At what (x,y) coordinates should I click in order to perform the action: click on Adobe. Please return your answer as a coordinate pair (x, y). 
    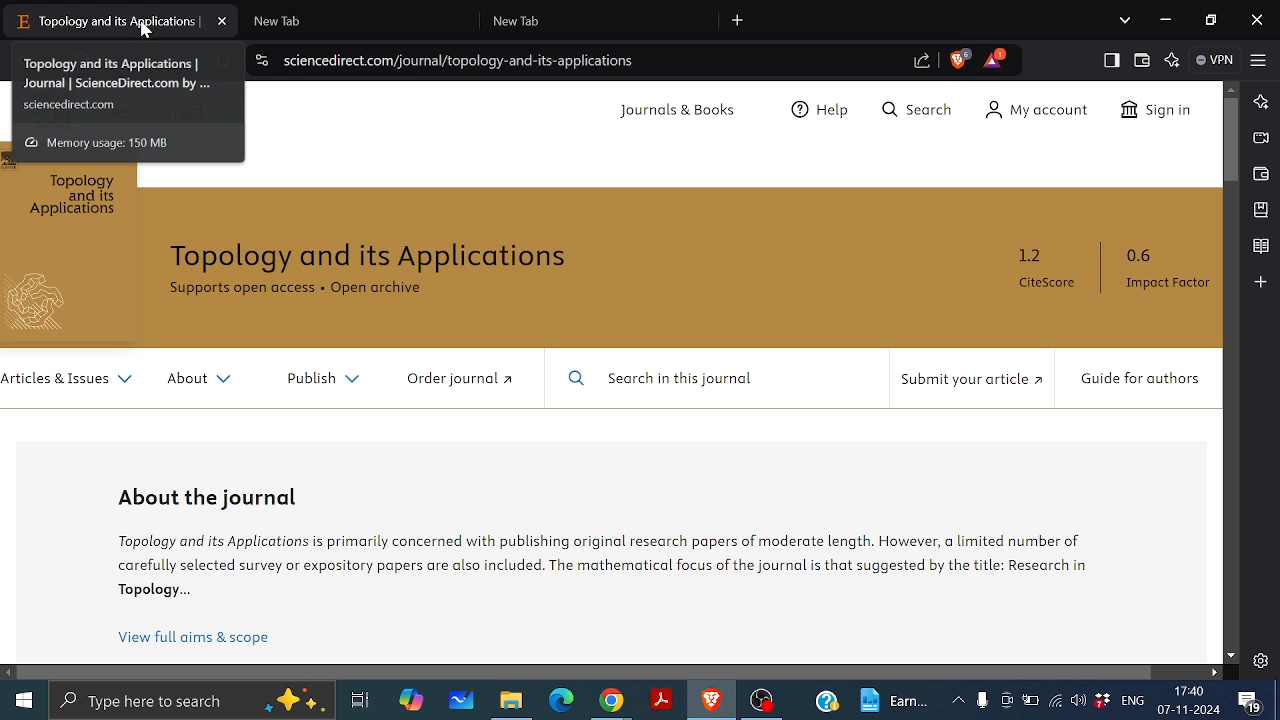
    Looking at the image, I should click on (659, 701).